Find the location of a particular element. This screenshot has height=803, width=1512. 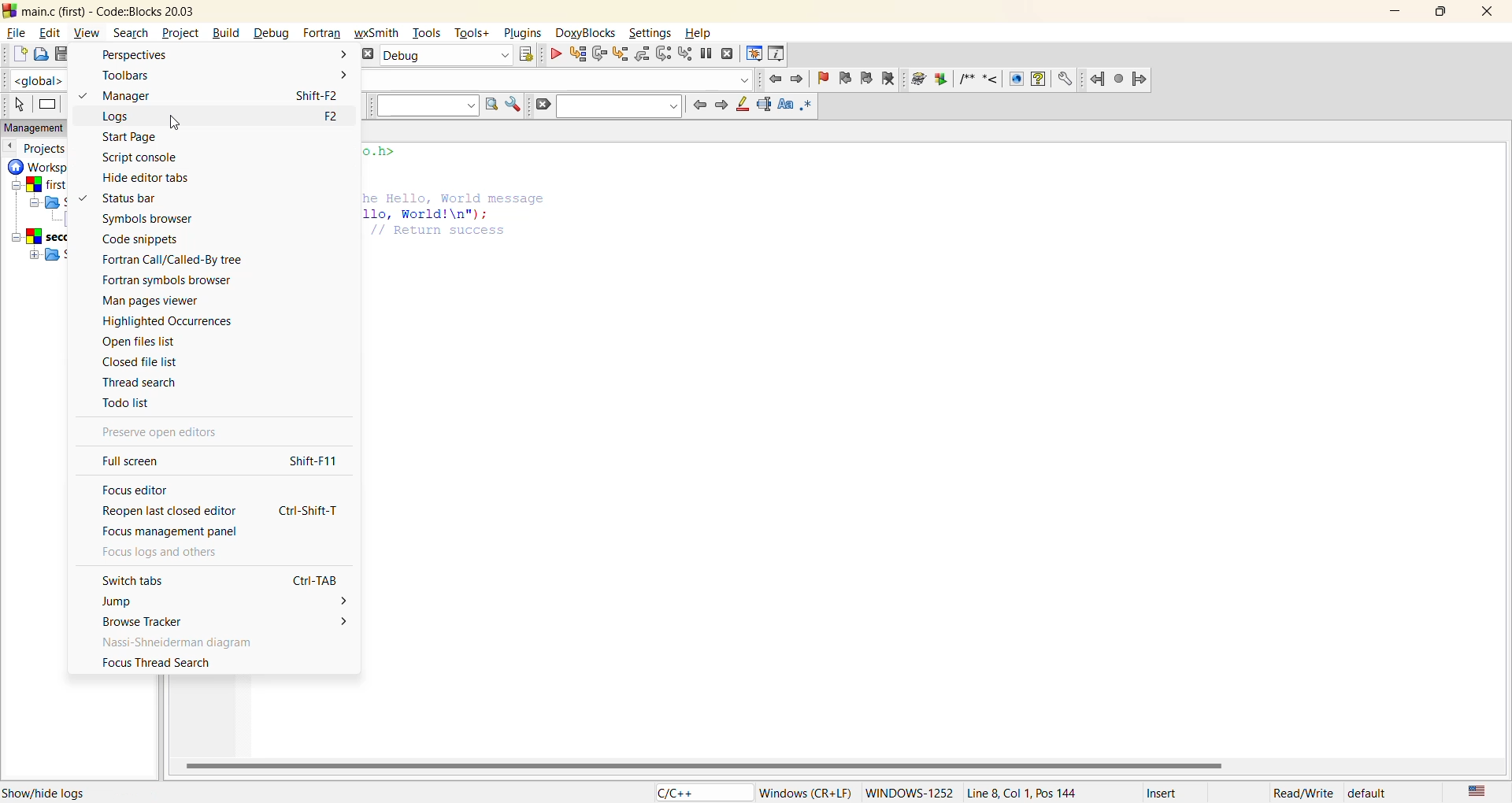

minimize is located at coordinates (1397, 12).